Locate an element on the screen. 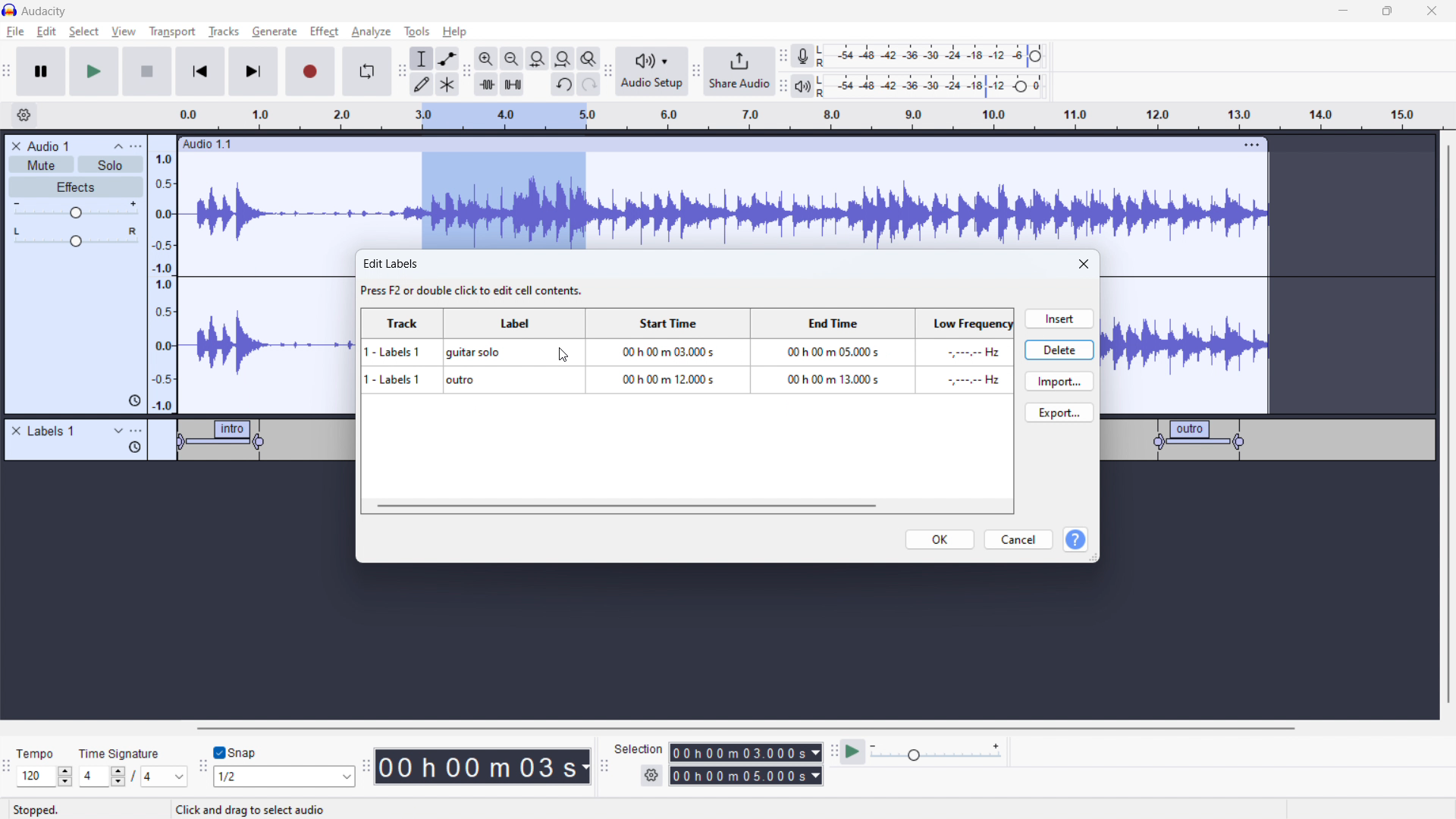 This screenshot has width=1456, height=819. zoom in is located at coordinates (486, 58).